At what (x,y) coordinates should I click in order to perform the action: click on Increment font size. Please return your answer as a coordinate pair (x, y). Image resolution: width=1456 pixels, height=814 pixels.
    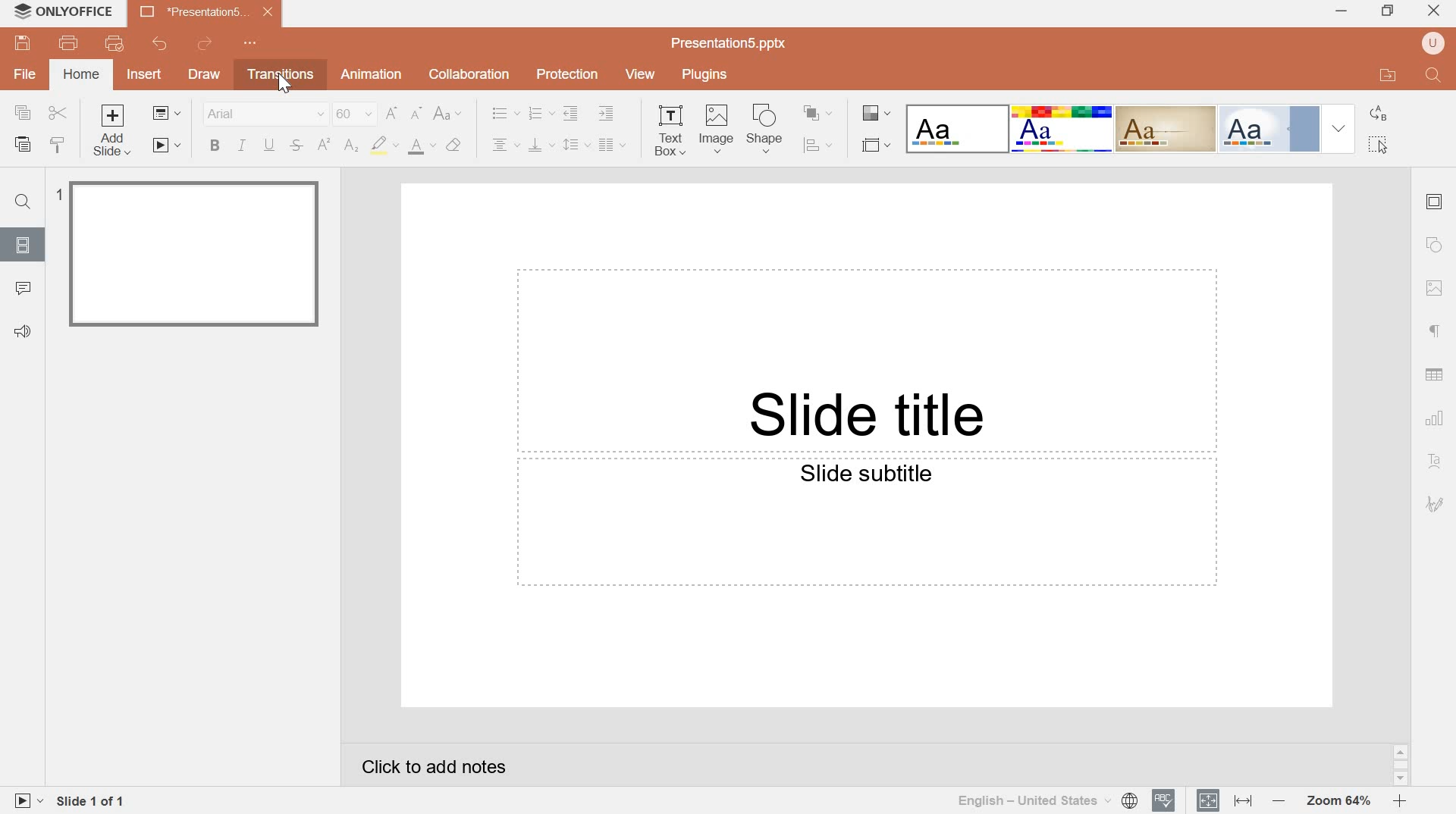
    Looking at the image, I should click on (394, 114).